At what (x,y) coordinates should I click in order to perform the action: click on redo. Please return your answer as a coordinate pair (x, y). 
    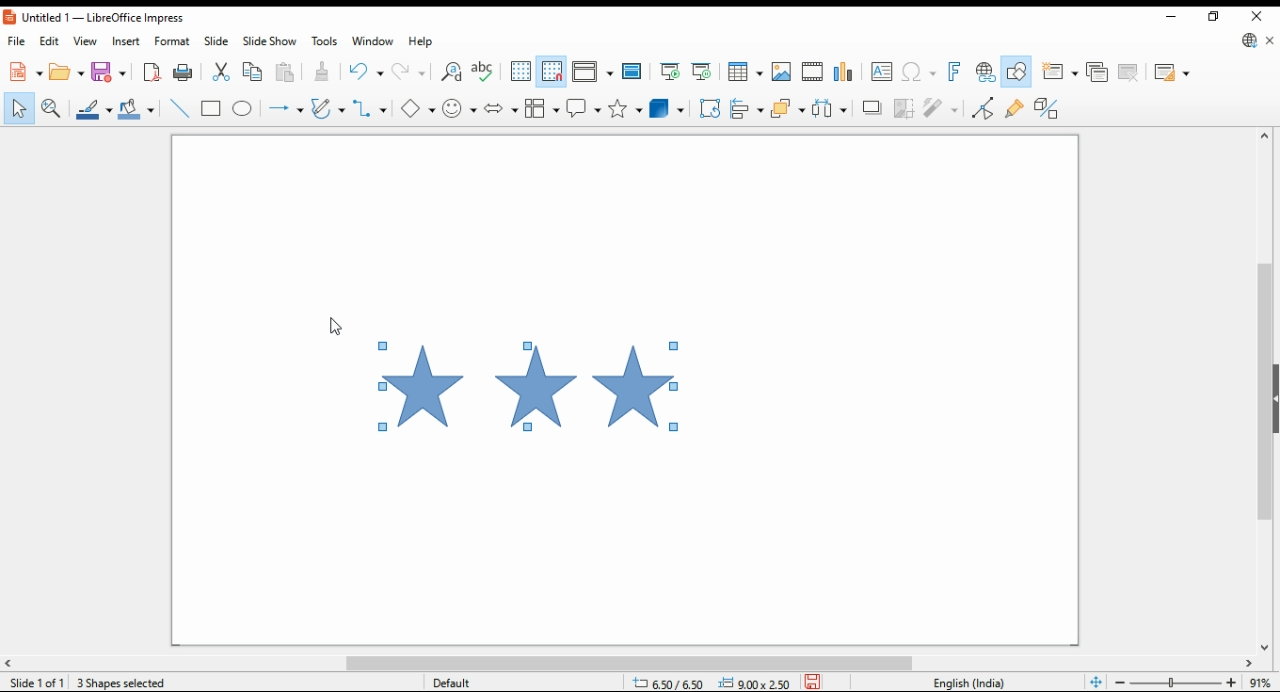
    Looking at the image, I should click on (410, 70).